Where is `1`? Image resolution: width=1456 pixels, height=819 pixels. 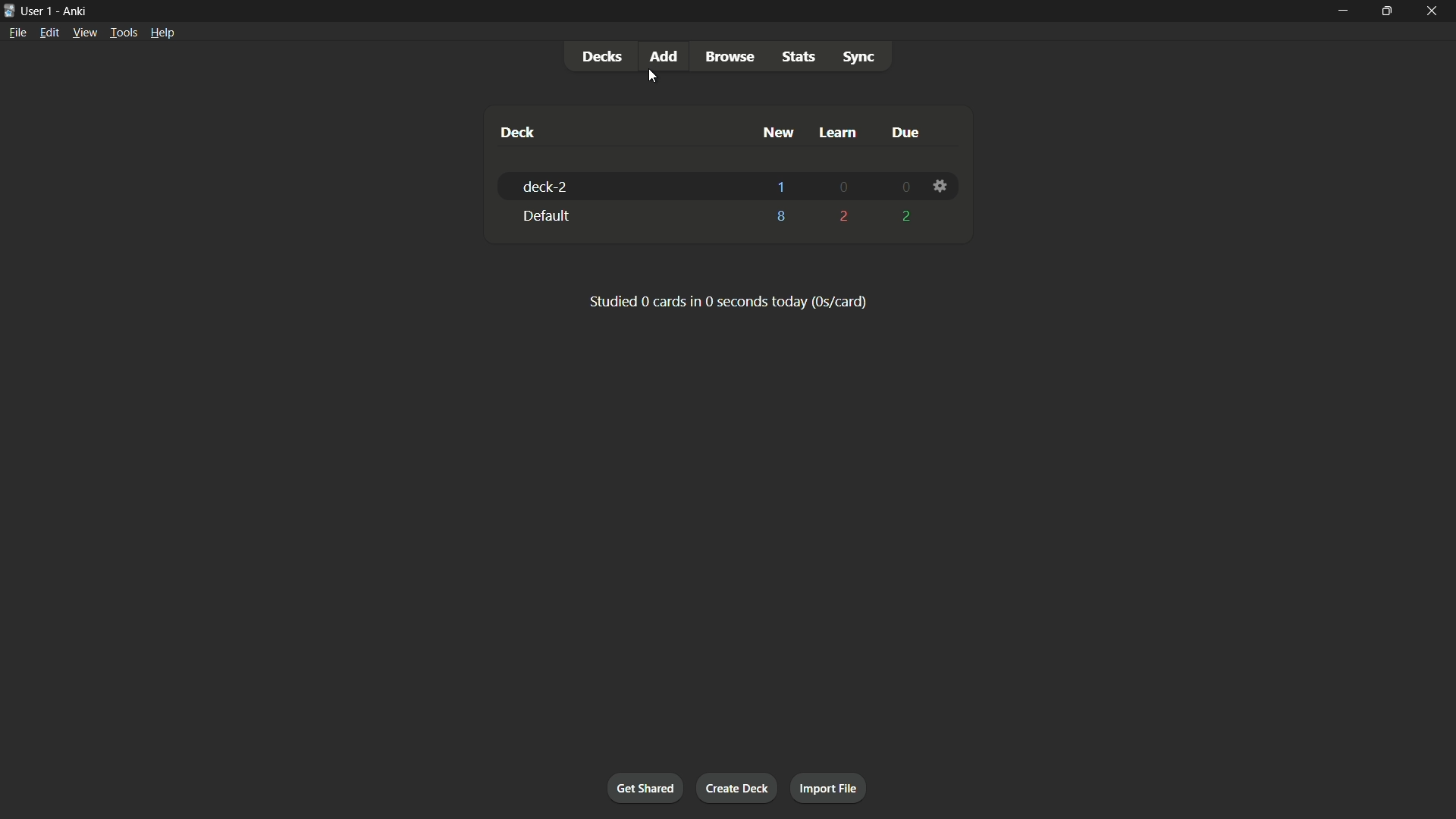 1 is located at coordinates (781, 187).